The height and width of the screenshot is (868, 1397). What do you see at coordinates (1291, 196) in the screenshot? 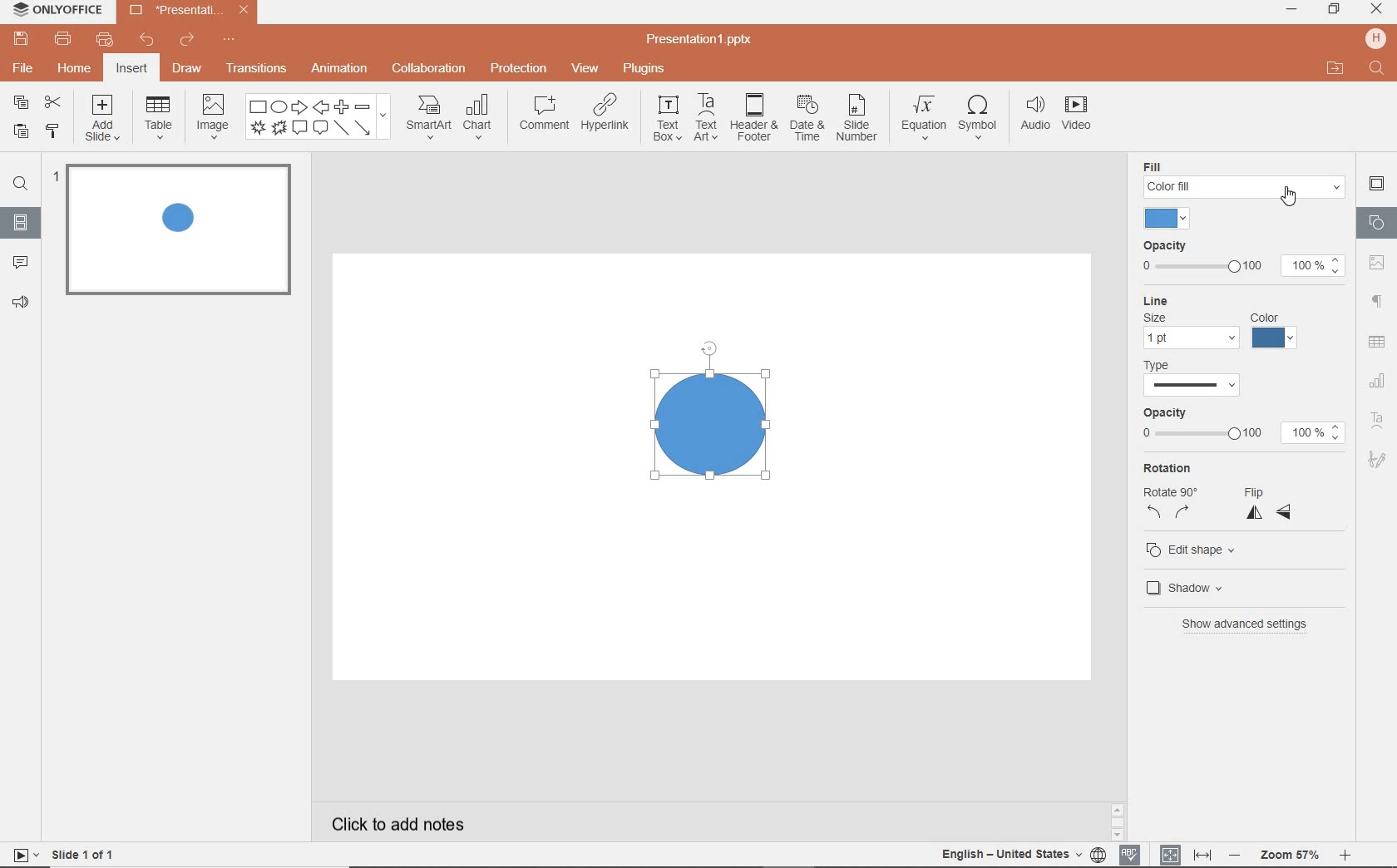
I see `mouse pointer` at bounding box center [1291, 196].